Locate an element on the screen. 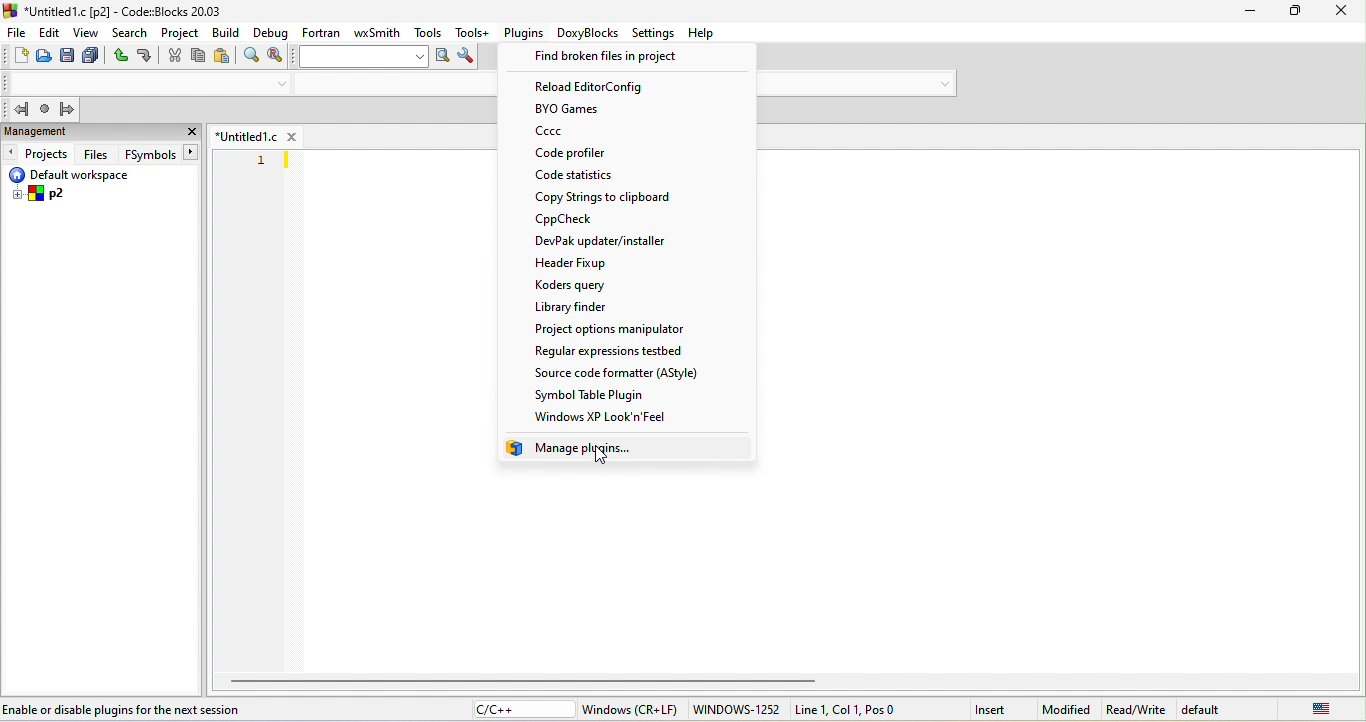 This screenshot has height=722, width=1366. close is located at coordinates (1343, 11).